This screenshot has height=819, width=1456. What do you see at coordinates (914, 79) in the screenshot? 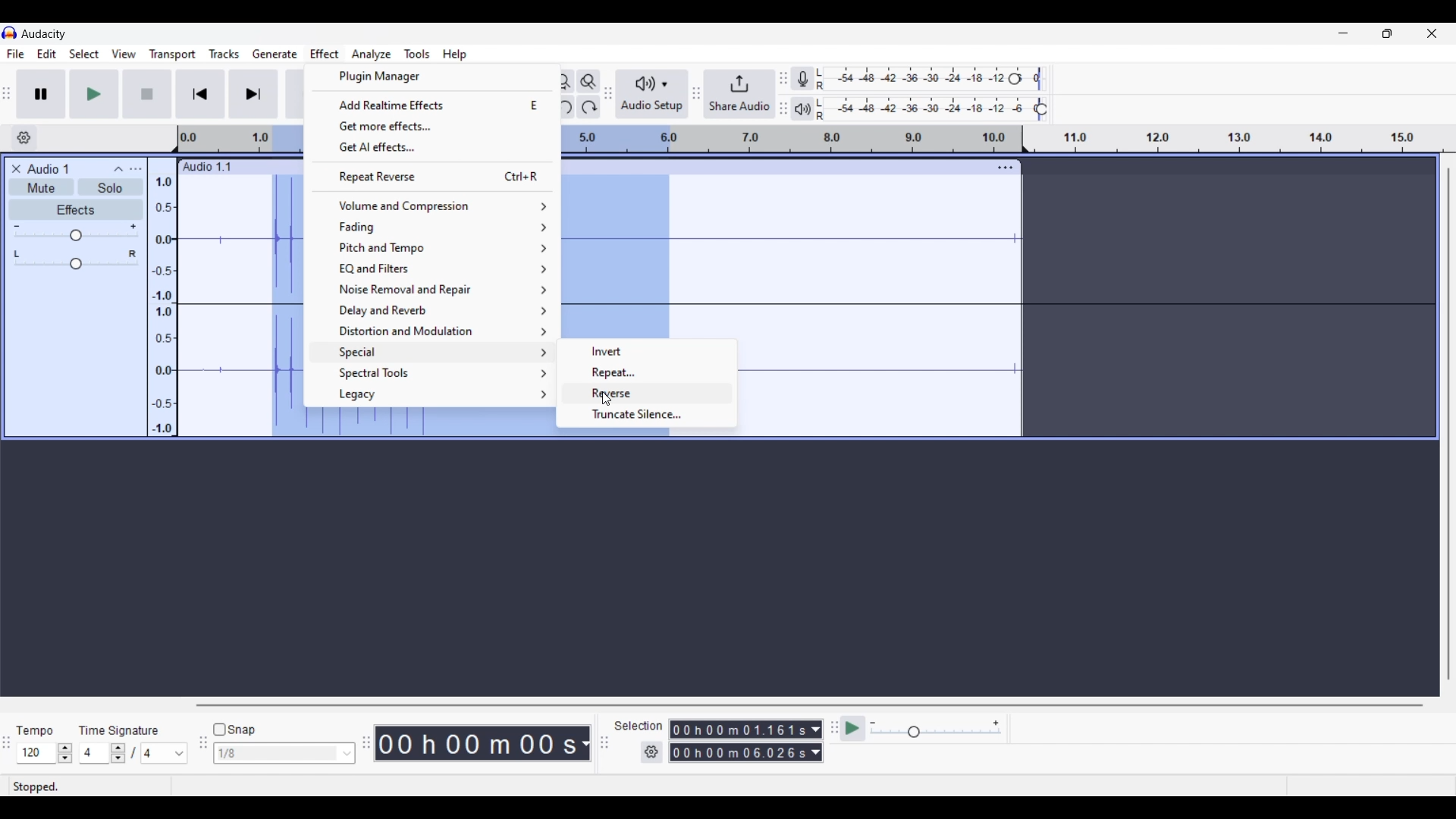
I see `Recording level` at bounding box center [914, 79].